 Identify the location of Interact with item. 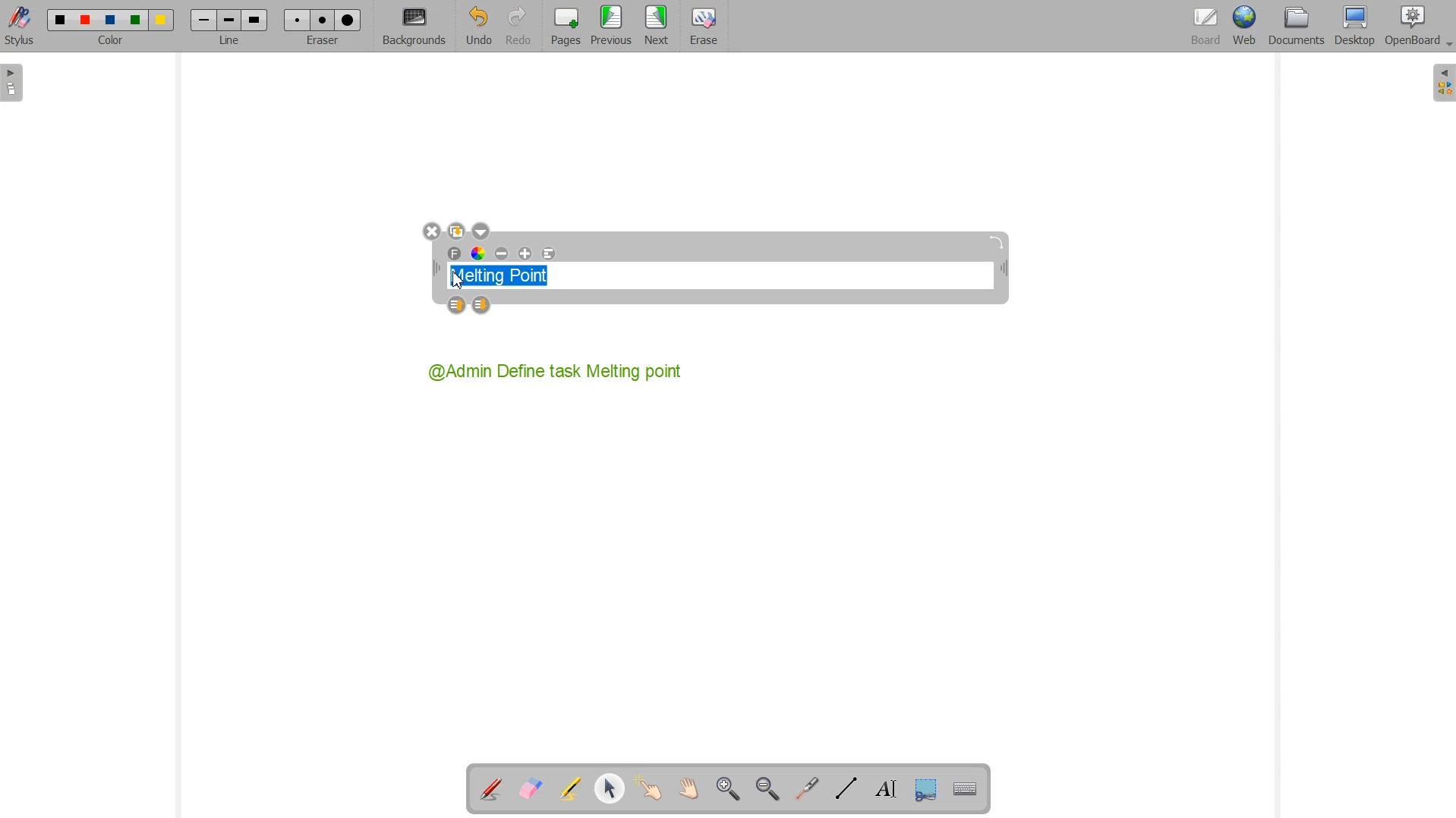
(648, 789).